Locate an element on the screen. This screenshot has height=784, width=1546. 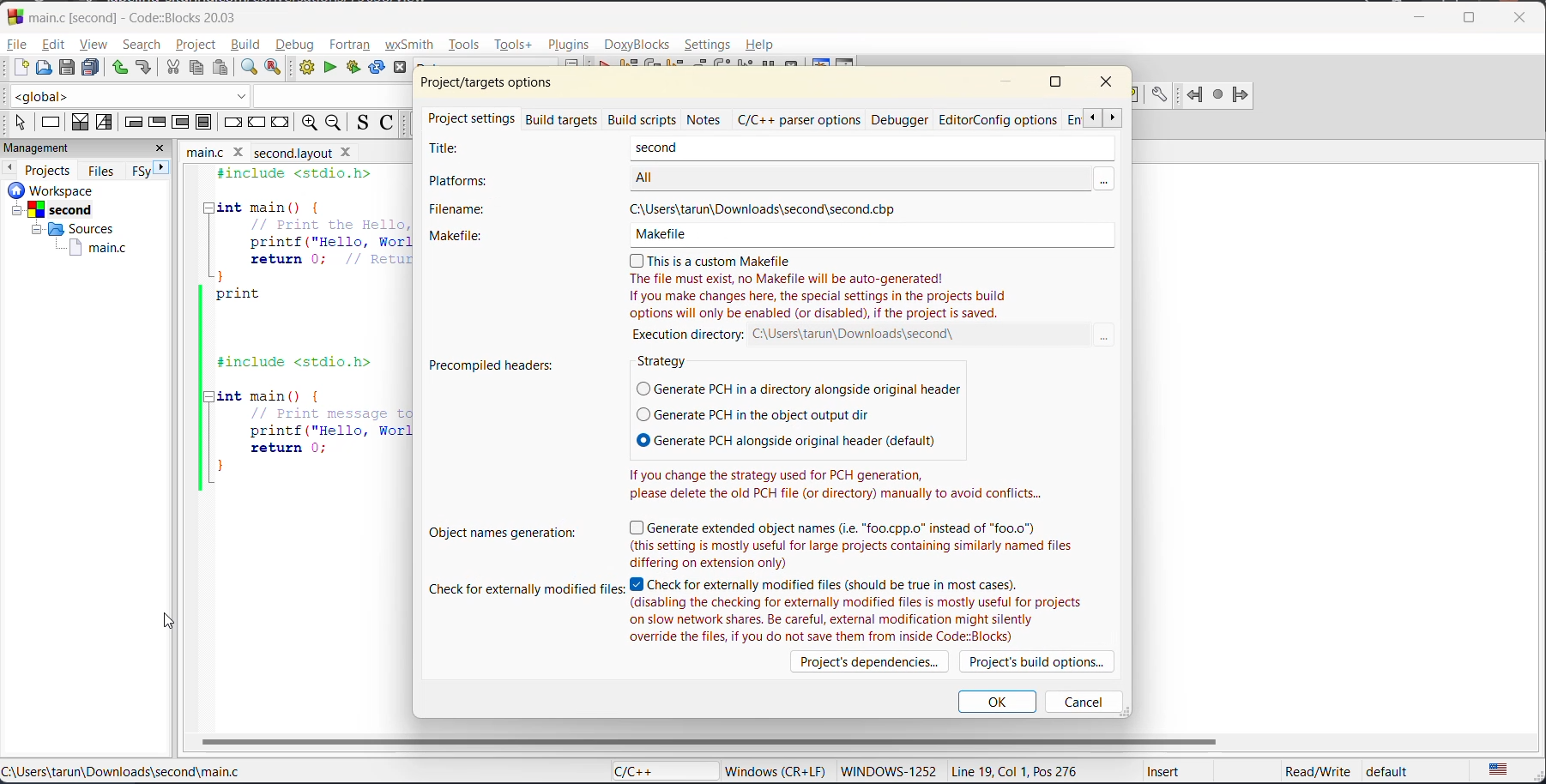
fortran is located at coordinates (1217, 94).